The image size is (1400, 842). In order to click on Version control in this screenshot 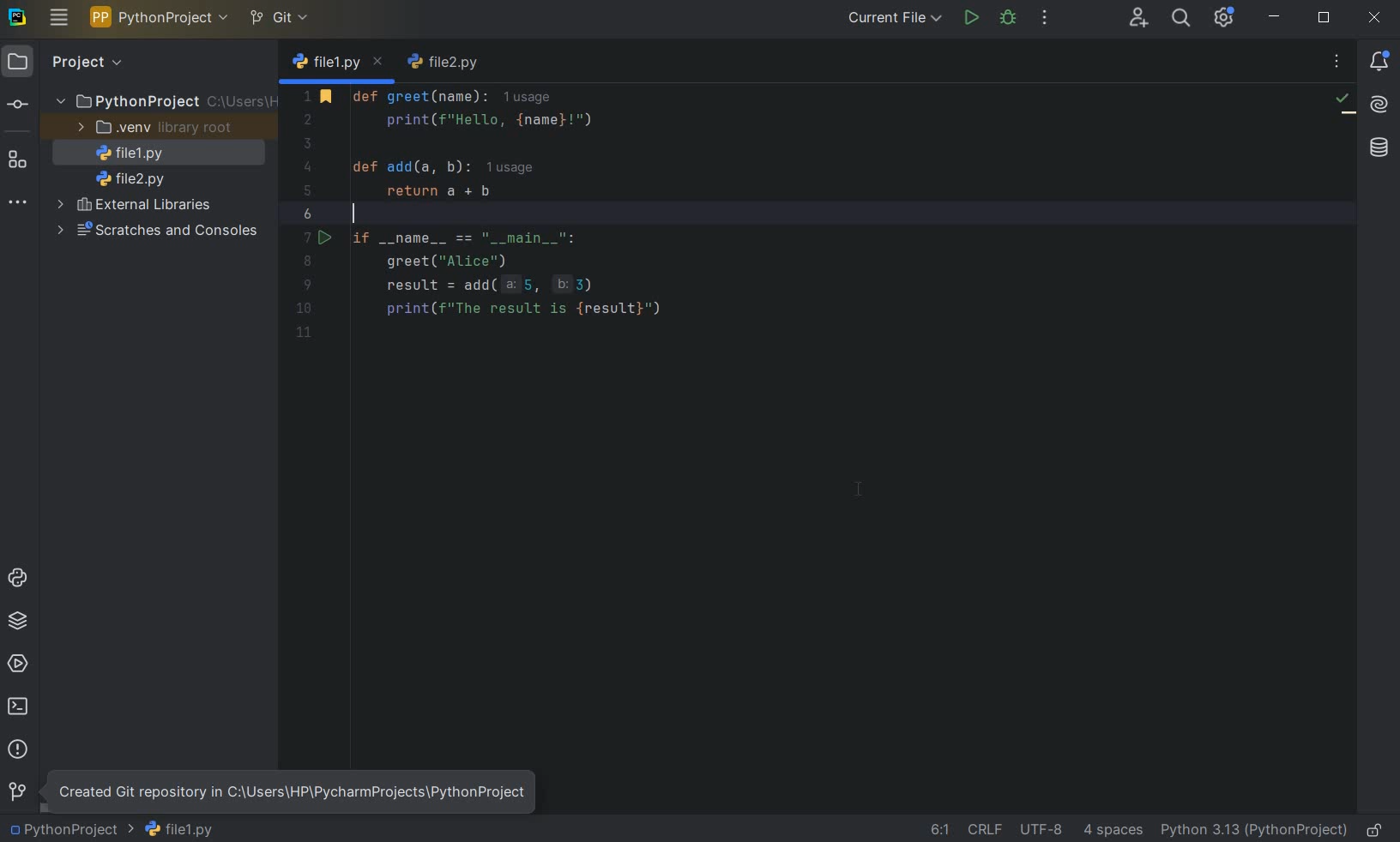, I will do `click(16, 791)`.